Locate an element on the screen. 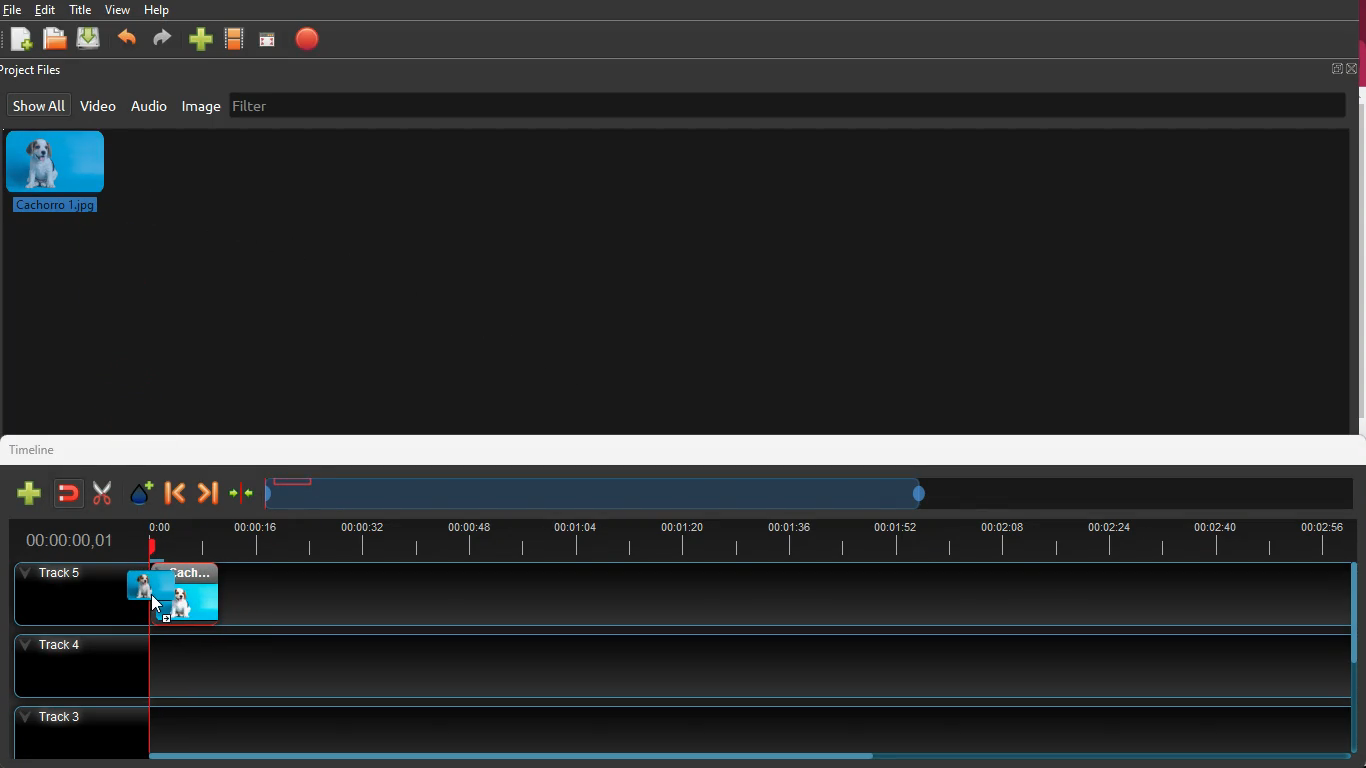 The width and height of the screenshot is (1366, 768). back is located at coordinates (126, 41).